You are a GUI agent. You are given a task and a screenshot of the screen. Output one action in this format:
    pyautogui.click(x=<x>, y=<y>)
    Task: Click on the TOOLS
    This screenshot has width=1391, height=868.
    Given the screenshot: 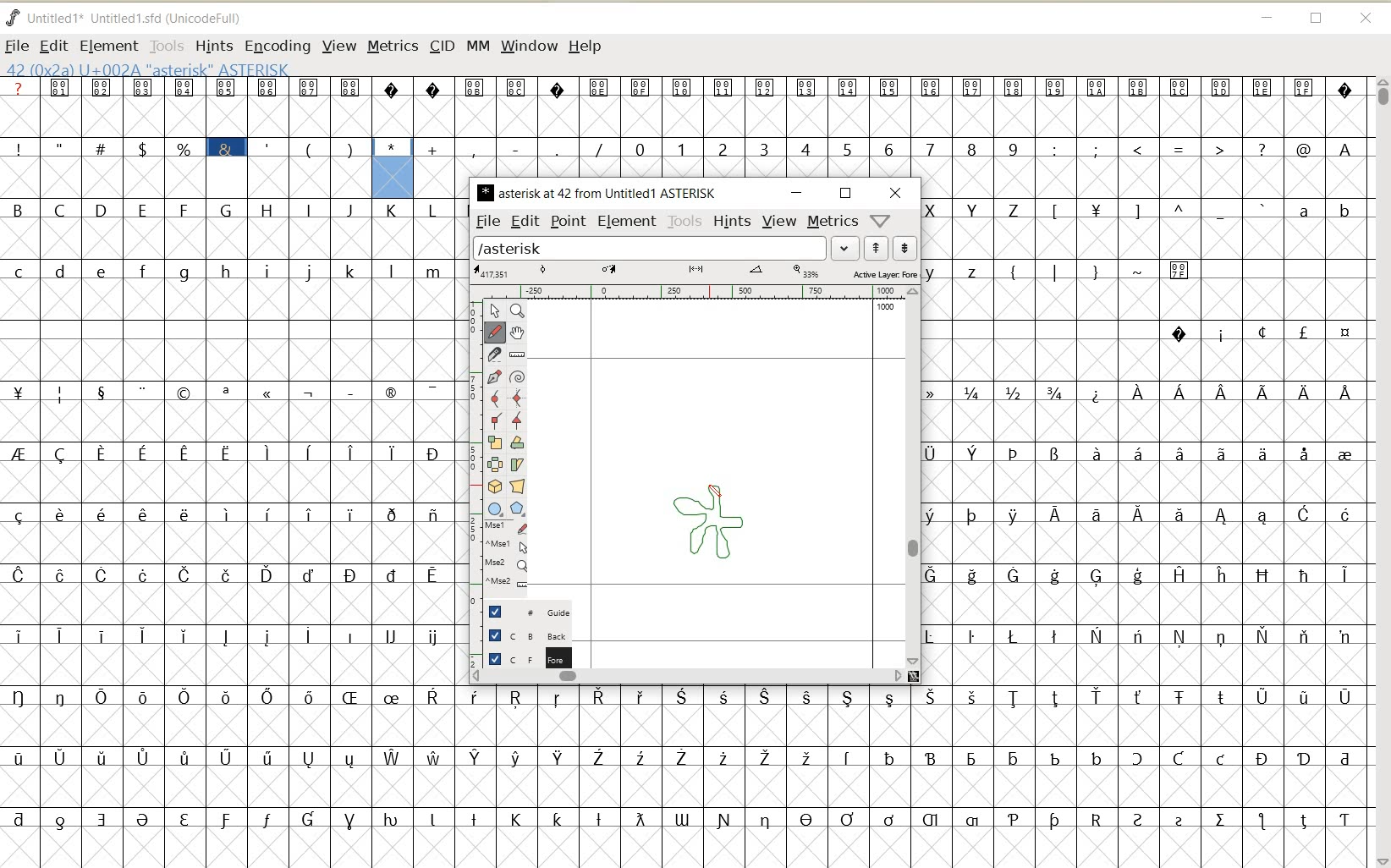 What is the action you would take?
    pyautogui.click(x=166, y=46)
    